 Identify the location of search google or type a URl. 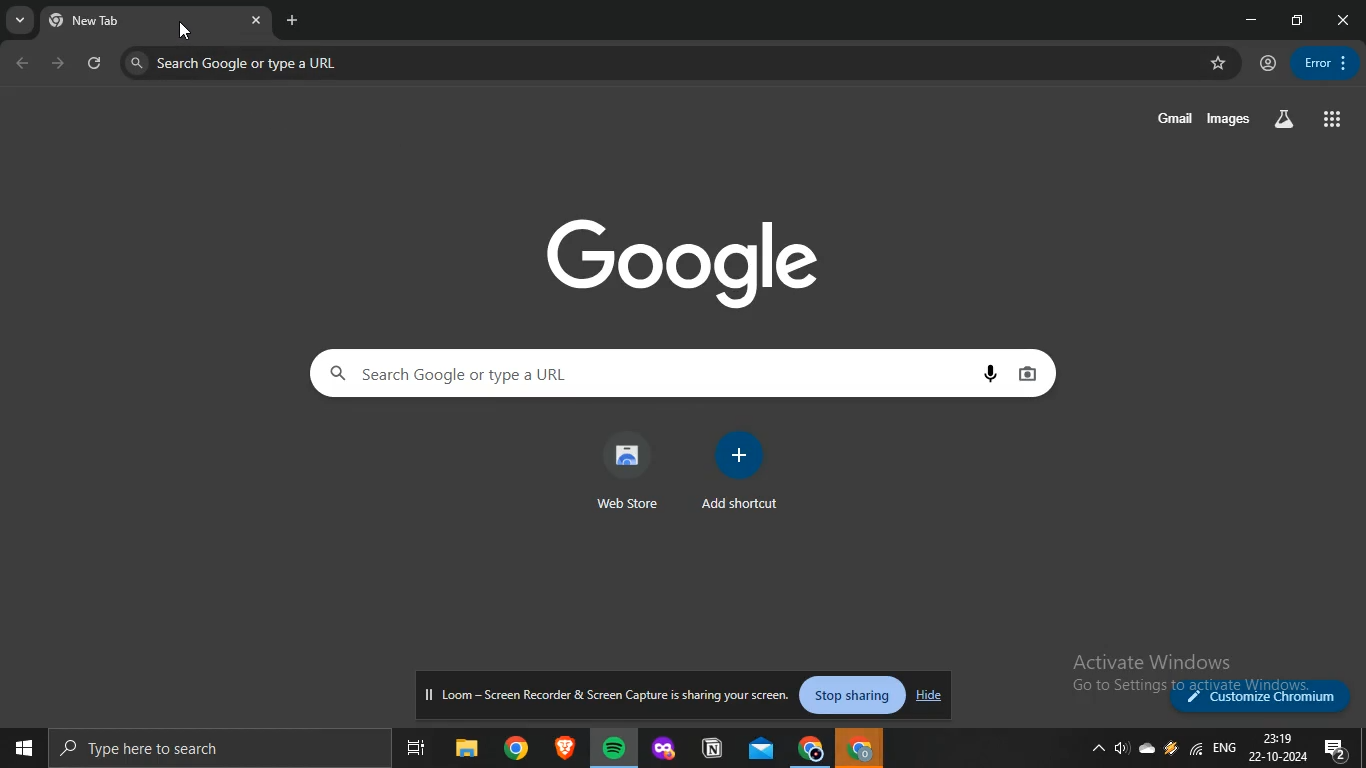
(235, 63).